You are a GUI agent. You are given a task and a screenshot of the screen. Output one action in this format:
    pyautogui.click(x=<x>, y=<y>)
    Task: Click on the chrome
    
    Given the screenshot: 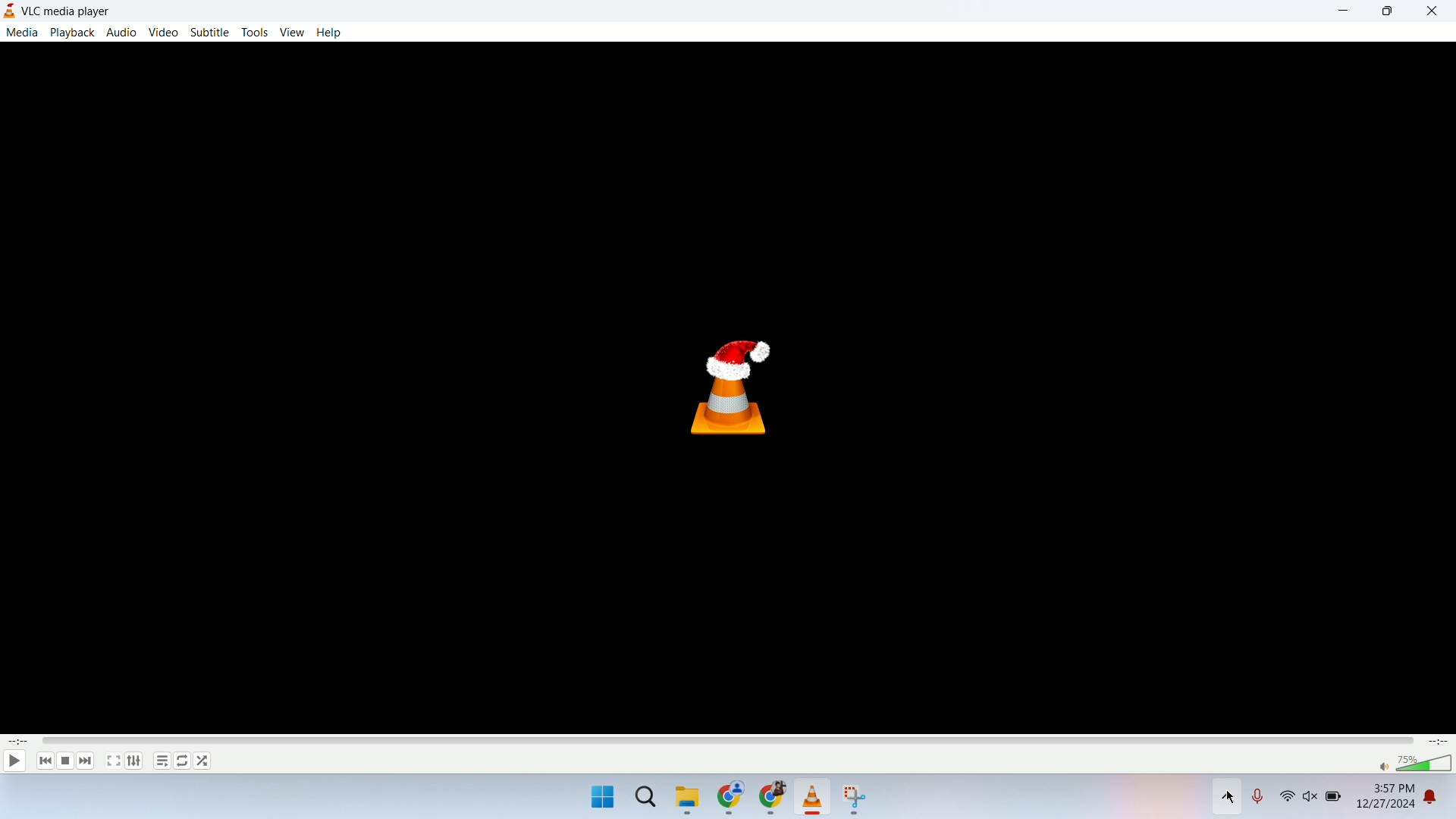 What is the action you would take?
    pyautogui.click(x=771, y=801)
    